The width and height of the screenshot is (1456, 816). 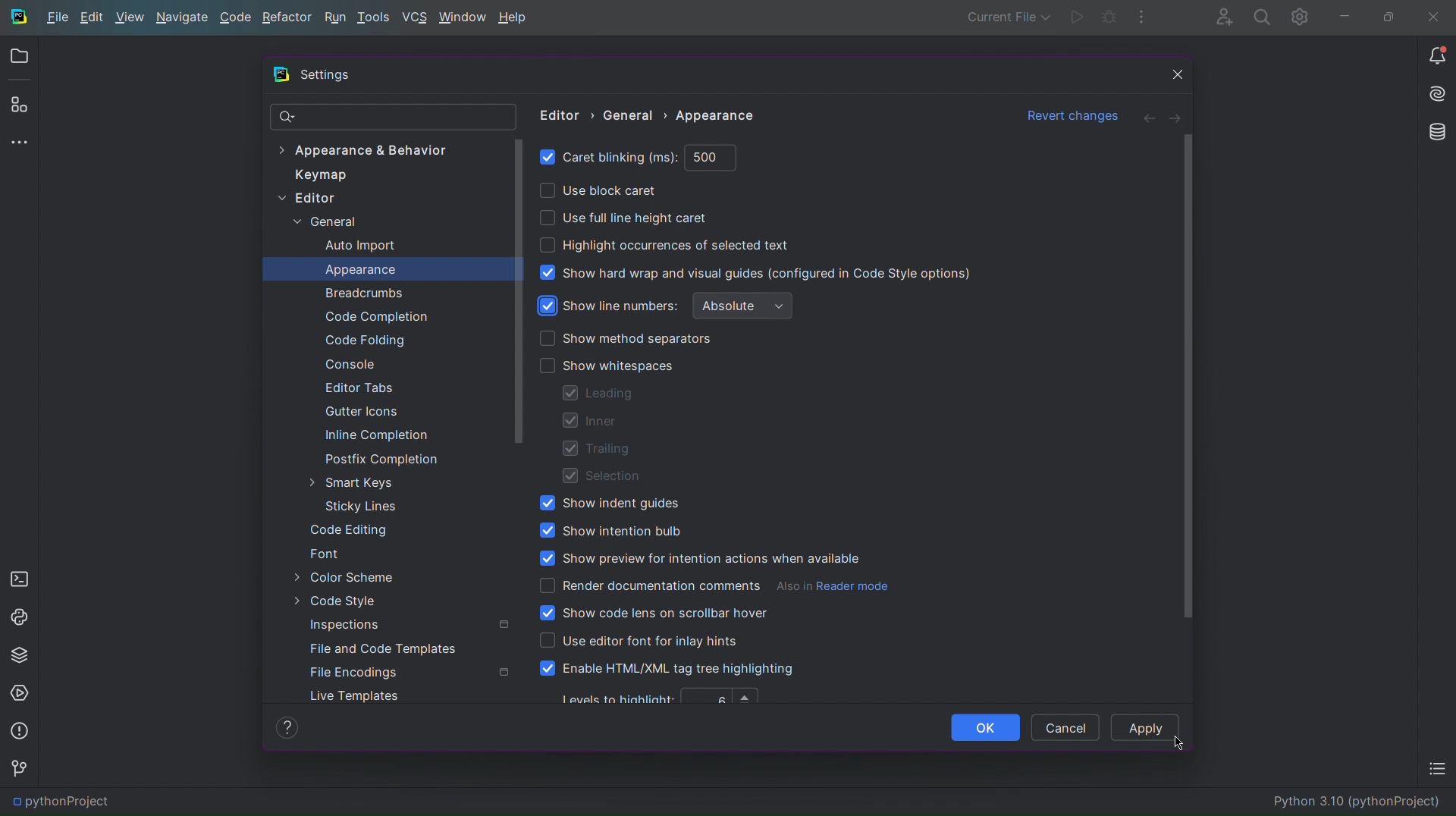 What do you see at coordinates (516, 17) in the screenshot?
I see `Help` at bounding box center [516, 17].